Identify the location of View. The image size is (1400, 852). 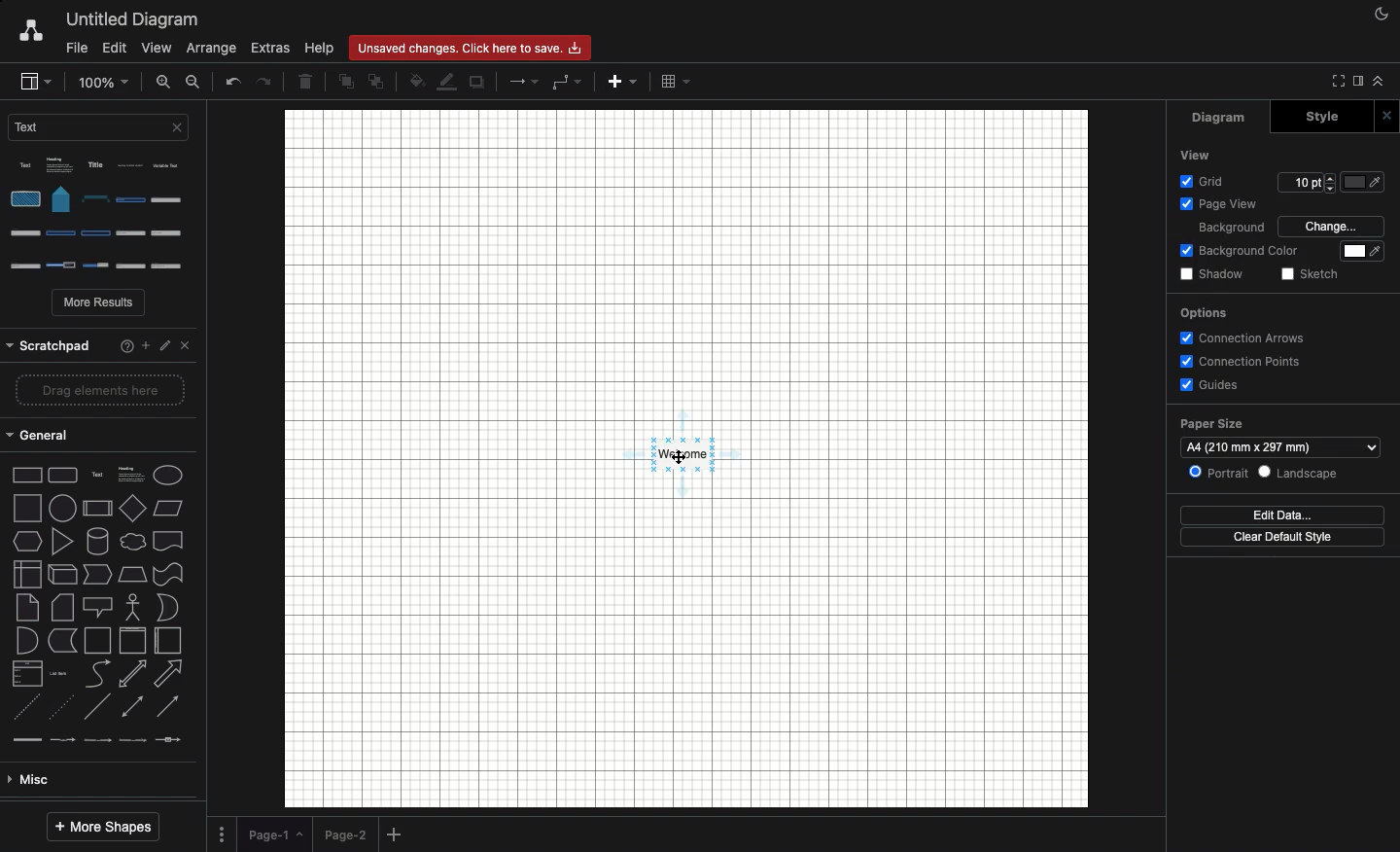
(157, 50).